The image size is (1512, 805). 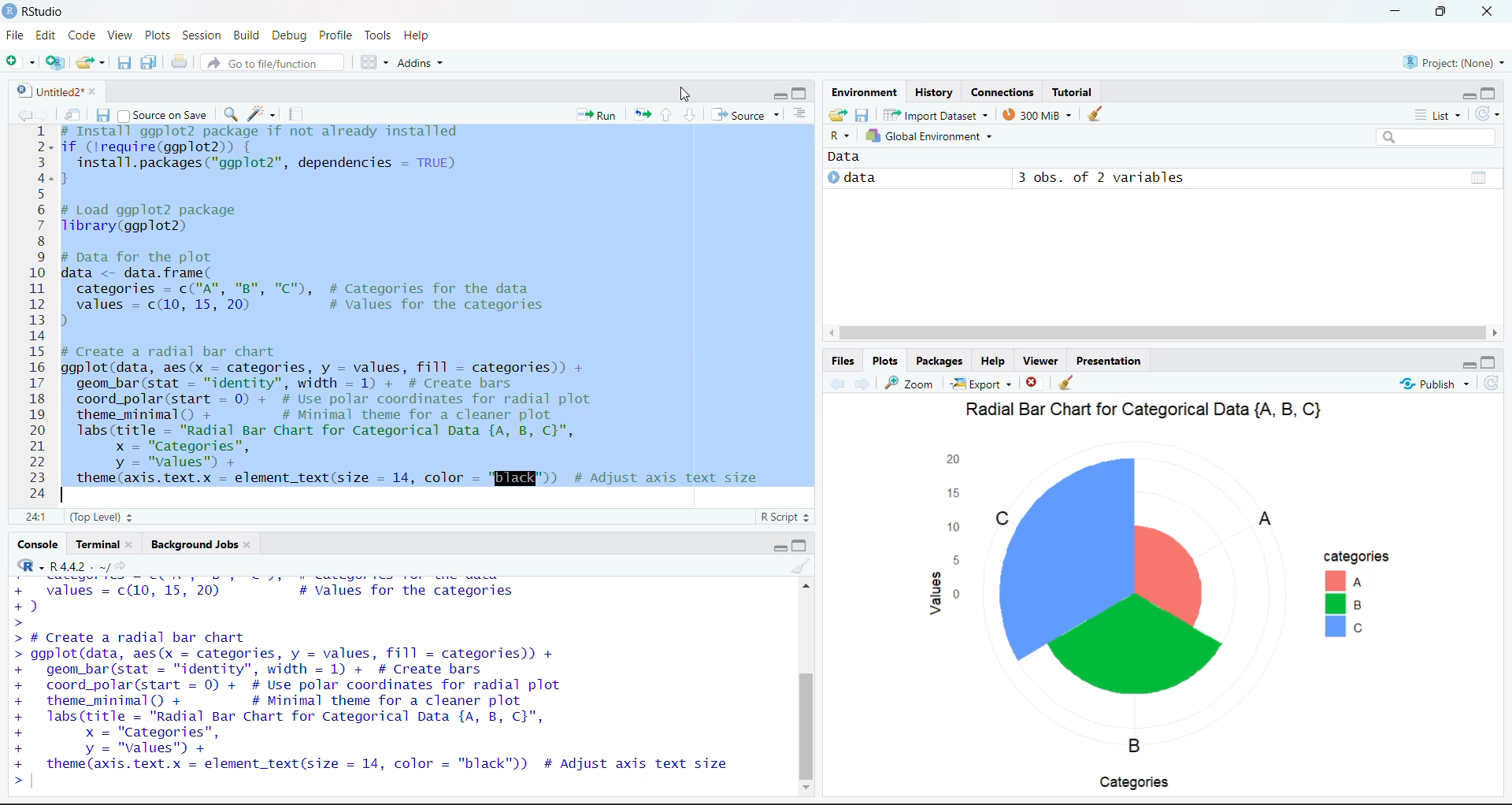 What do you see at coordinates (1108, 180) in the screenshot?
I see `3 obs. of 2 variables` at bounding box center [1108, 180].